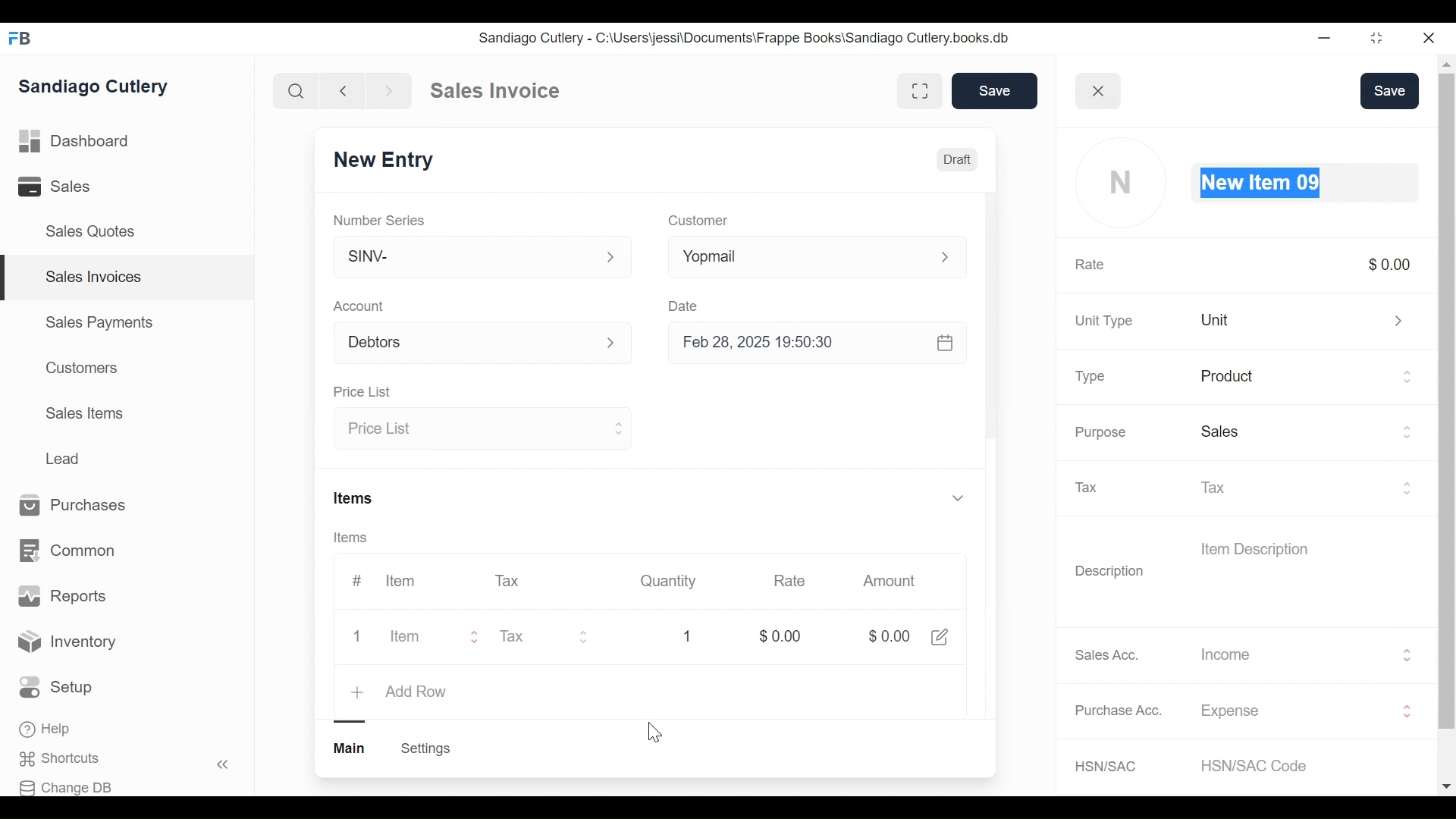  What do you see at coordinates (382, 159) in the screenshot?
I see `New Entry` at bounding box center [382, 159].